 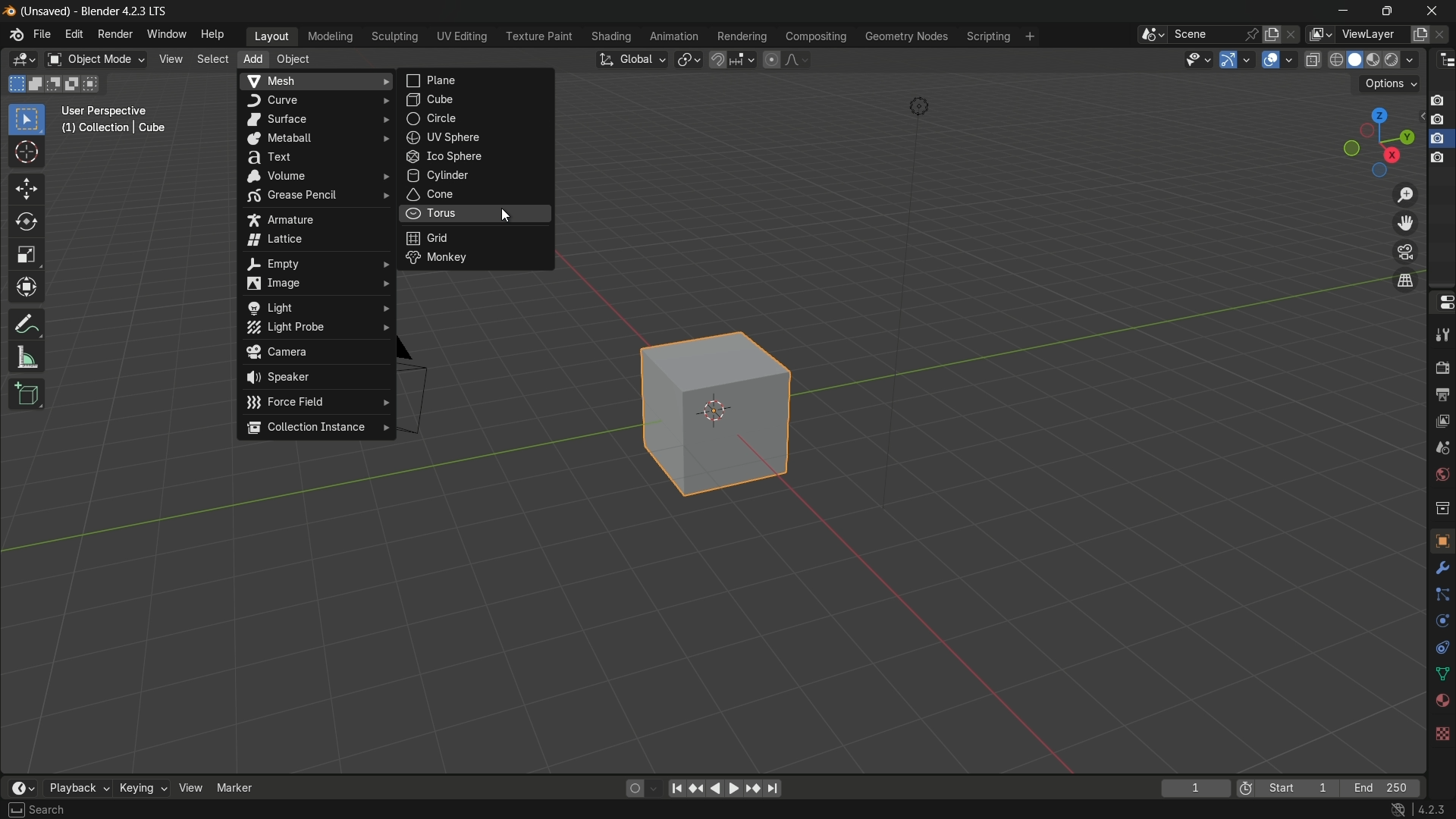 I want to click on (Unsaved) - Blender 4.2.3 LTS, so click(x=97, y=12).